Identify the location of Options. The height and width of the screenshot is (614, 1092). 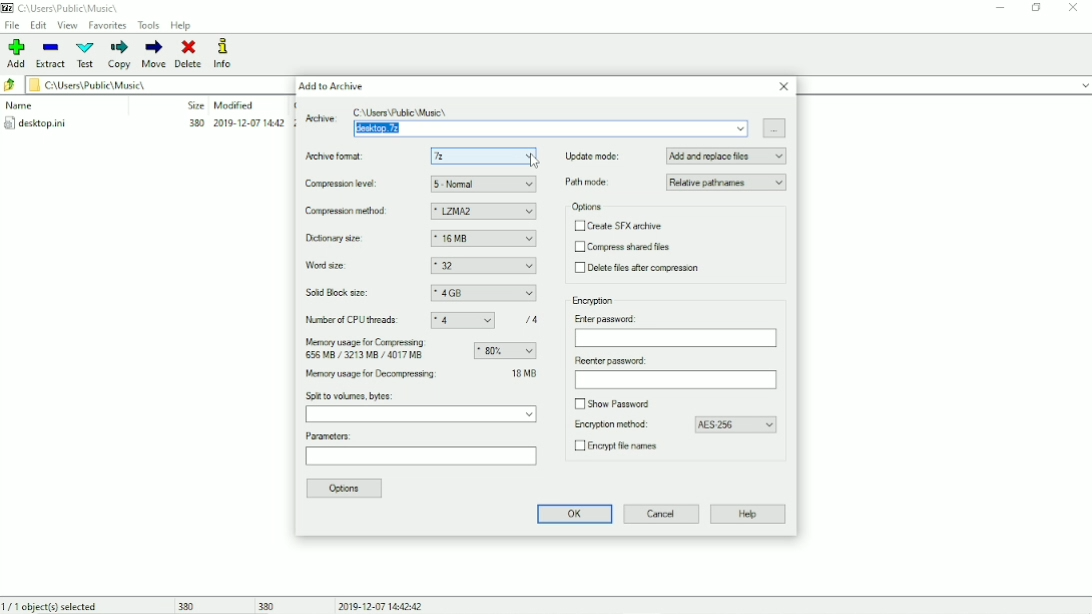
(586, 207).